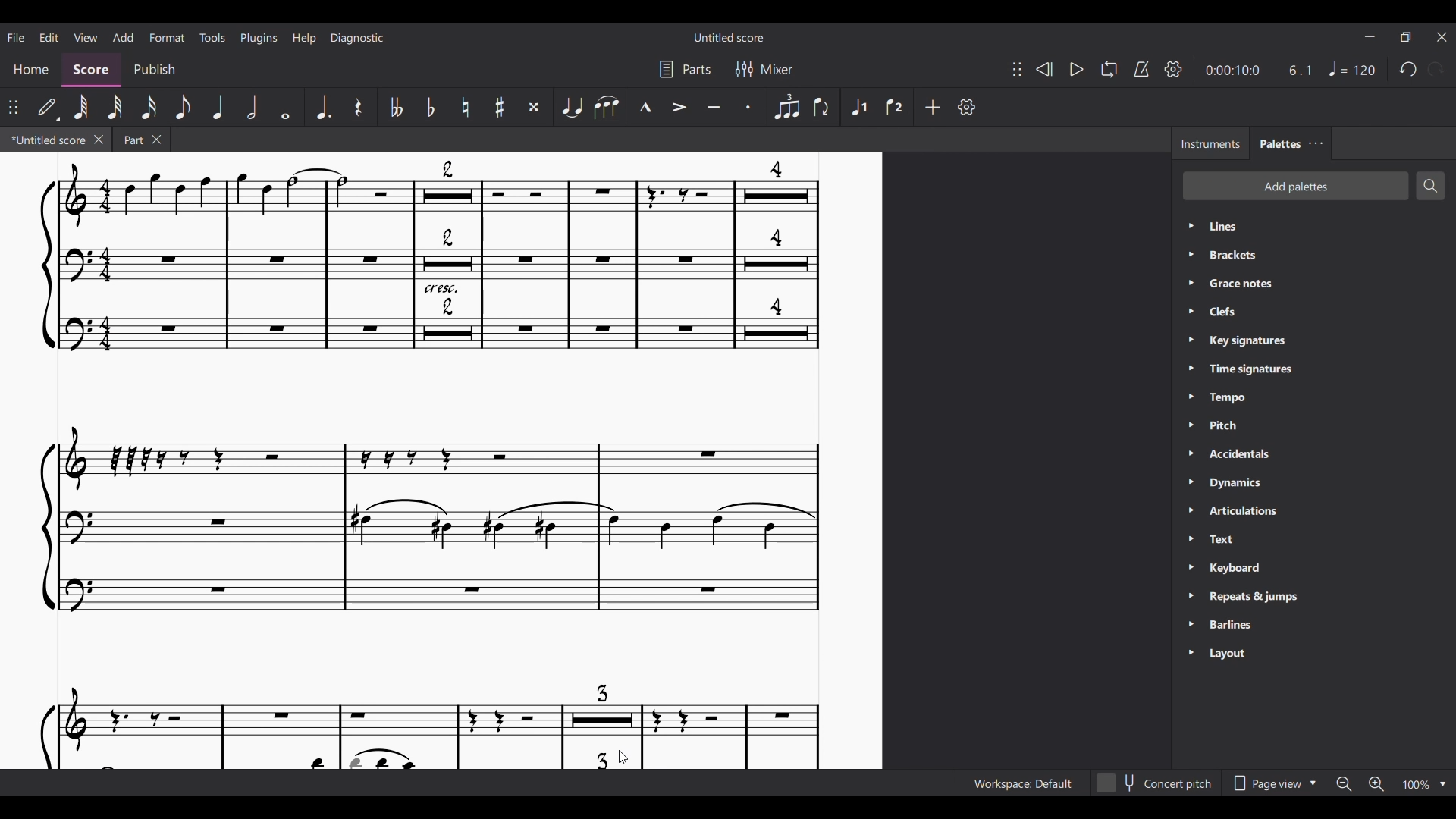 The width and height of the screenshot is (1456, 819). Describe the element at coordinates (1295, 187) in the screenshot. I see `Add palette` at that location.